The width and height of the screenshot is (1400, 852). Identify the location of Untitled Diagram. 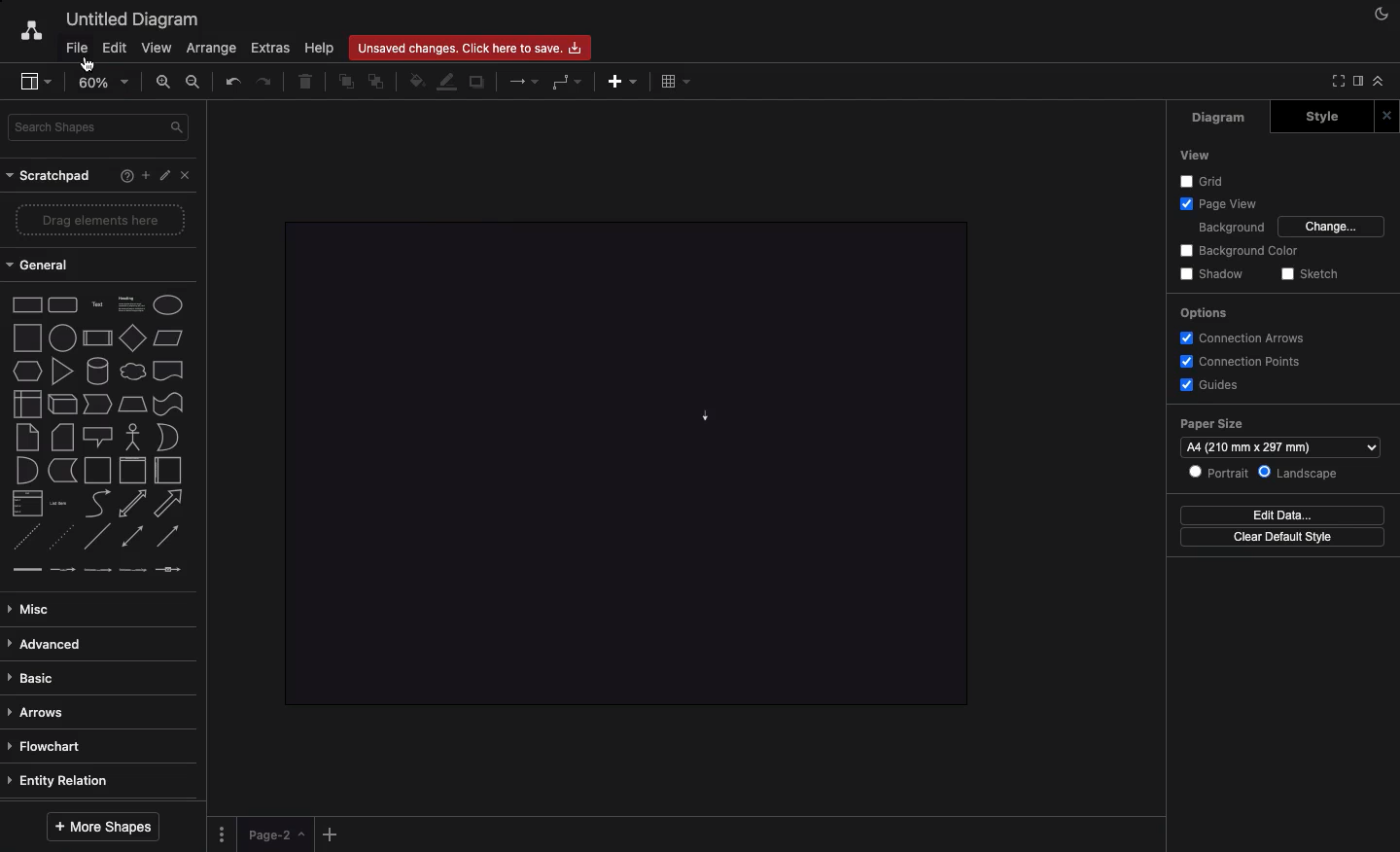
(128, 18).